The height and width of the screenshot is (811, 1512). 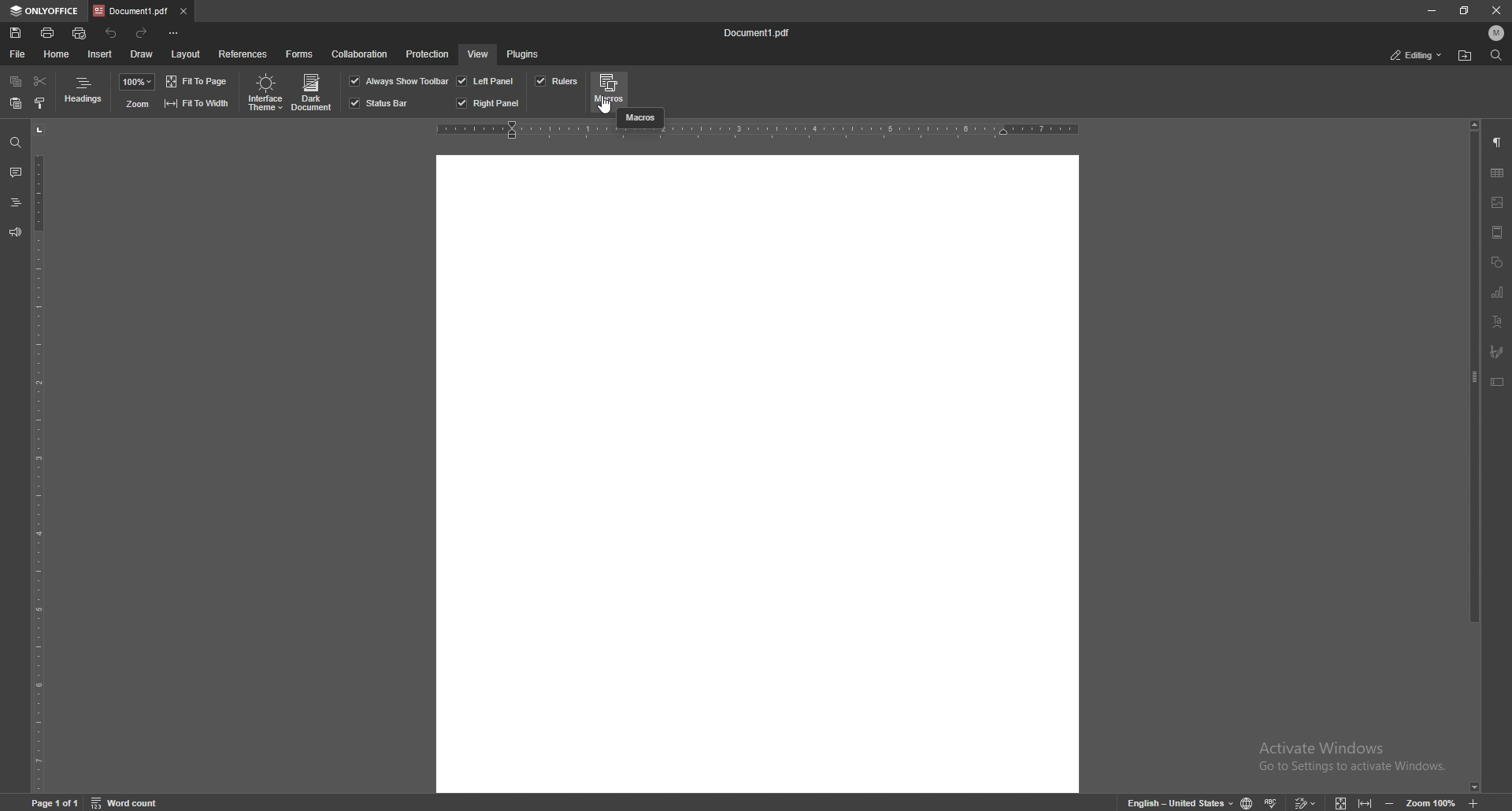 What do you see at coordinates (57, 54) in the screenshot?
I see `home` at bounding box center [57, 54].